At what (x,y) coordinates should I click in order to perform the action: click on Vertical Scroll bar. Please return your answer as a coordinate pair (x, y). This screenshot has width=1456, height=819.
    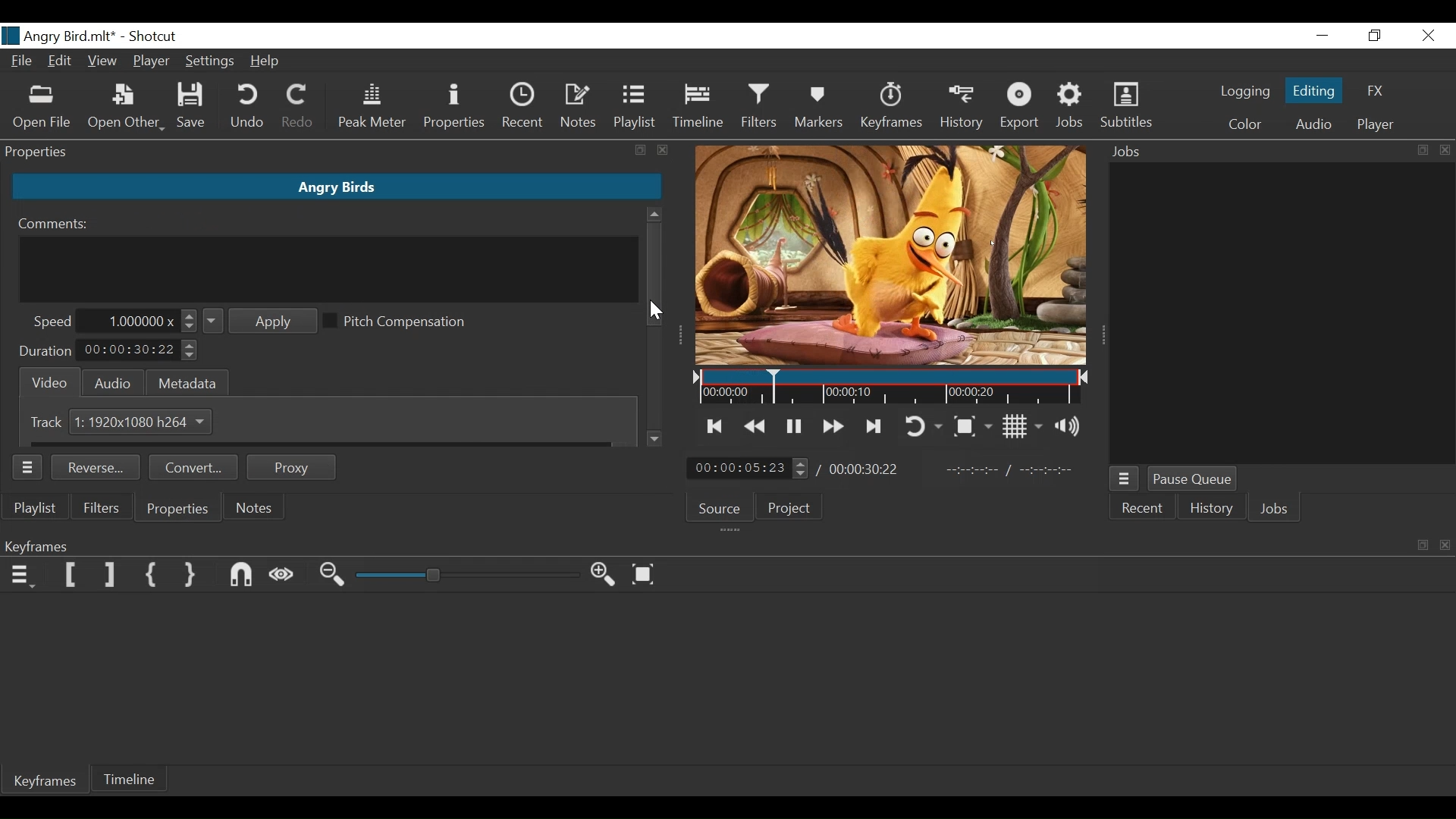
    Looking at the image, I should click on (653, 275).